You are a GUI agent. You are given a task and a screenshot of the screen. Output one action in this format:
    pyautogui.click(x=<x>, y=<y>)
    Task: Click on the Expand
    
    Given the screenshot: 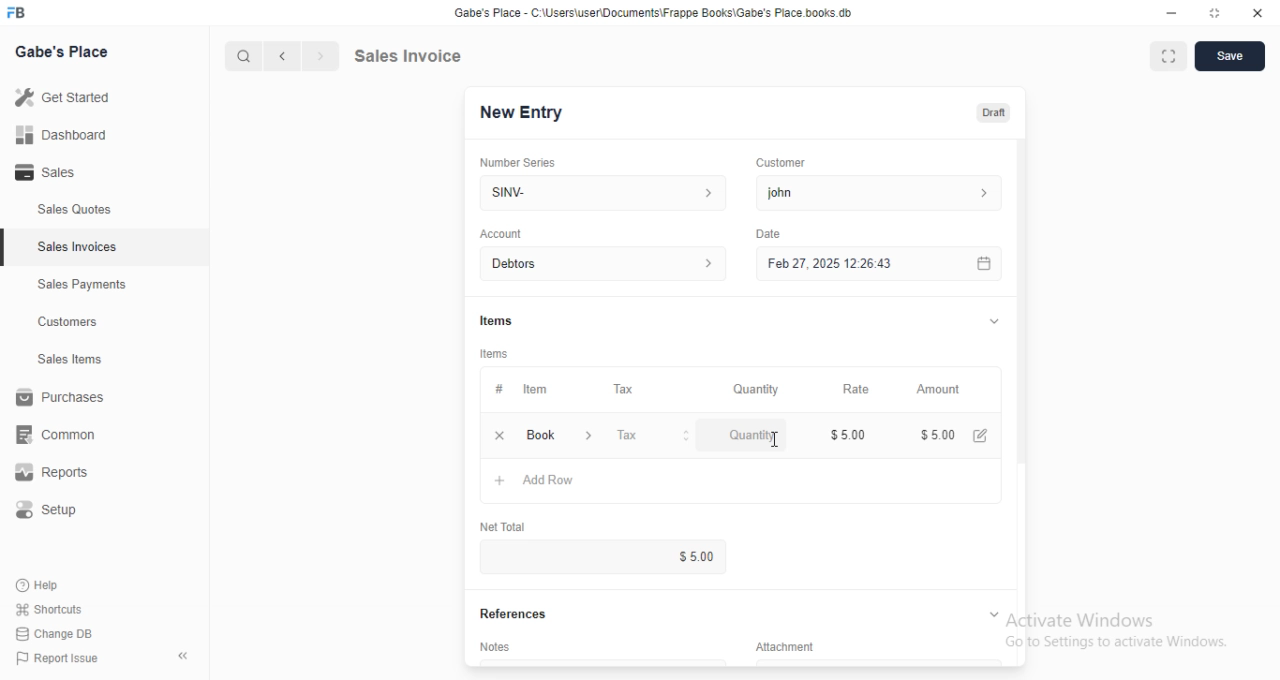 What is the action you would take?
    pyautogui.click(x=993, y=612)
    